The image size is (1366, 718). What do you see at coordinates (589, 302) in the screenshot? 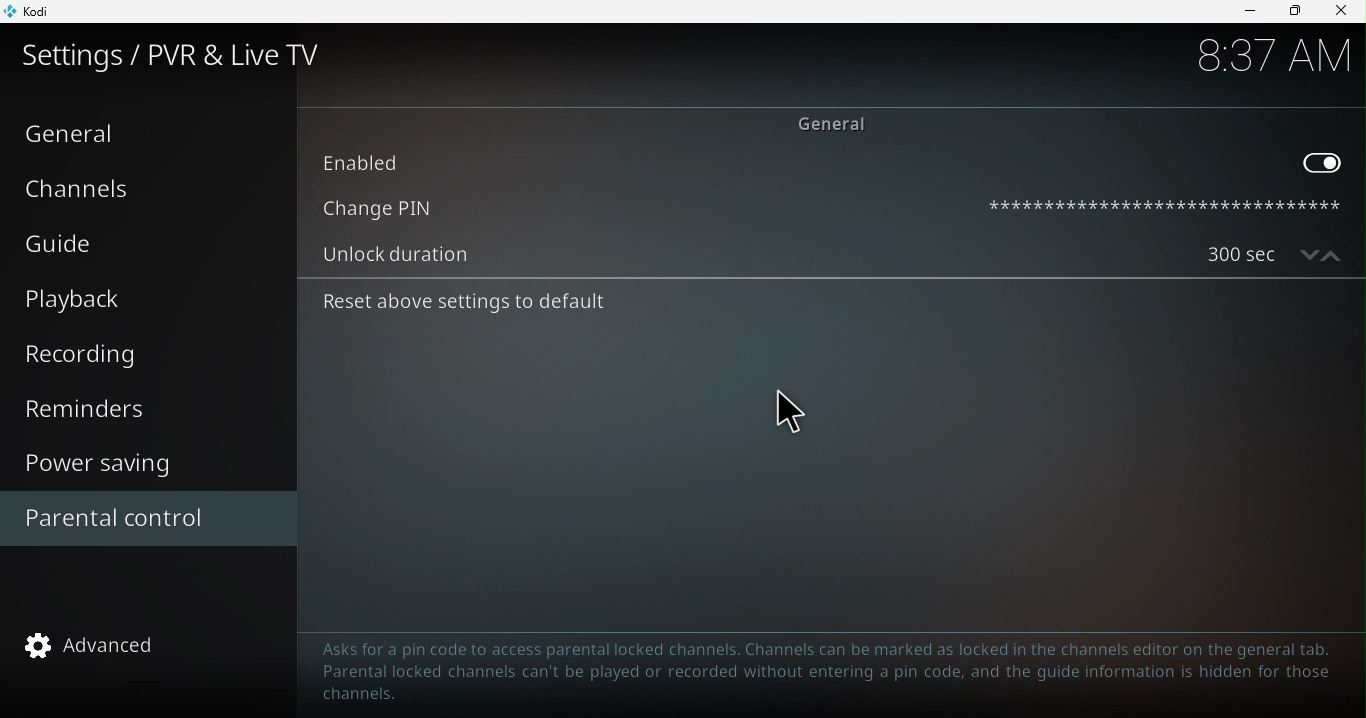
I see `Reset above settings to default` at bounding box center [589, 302].